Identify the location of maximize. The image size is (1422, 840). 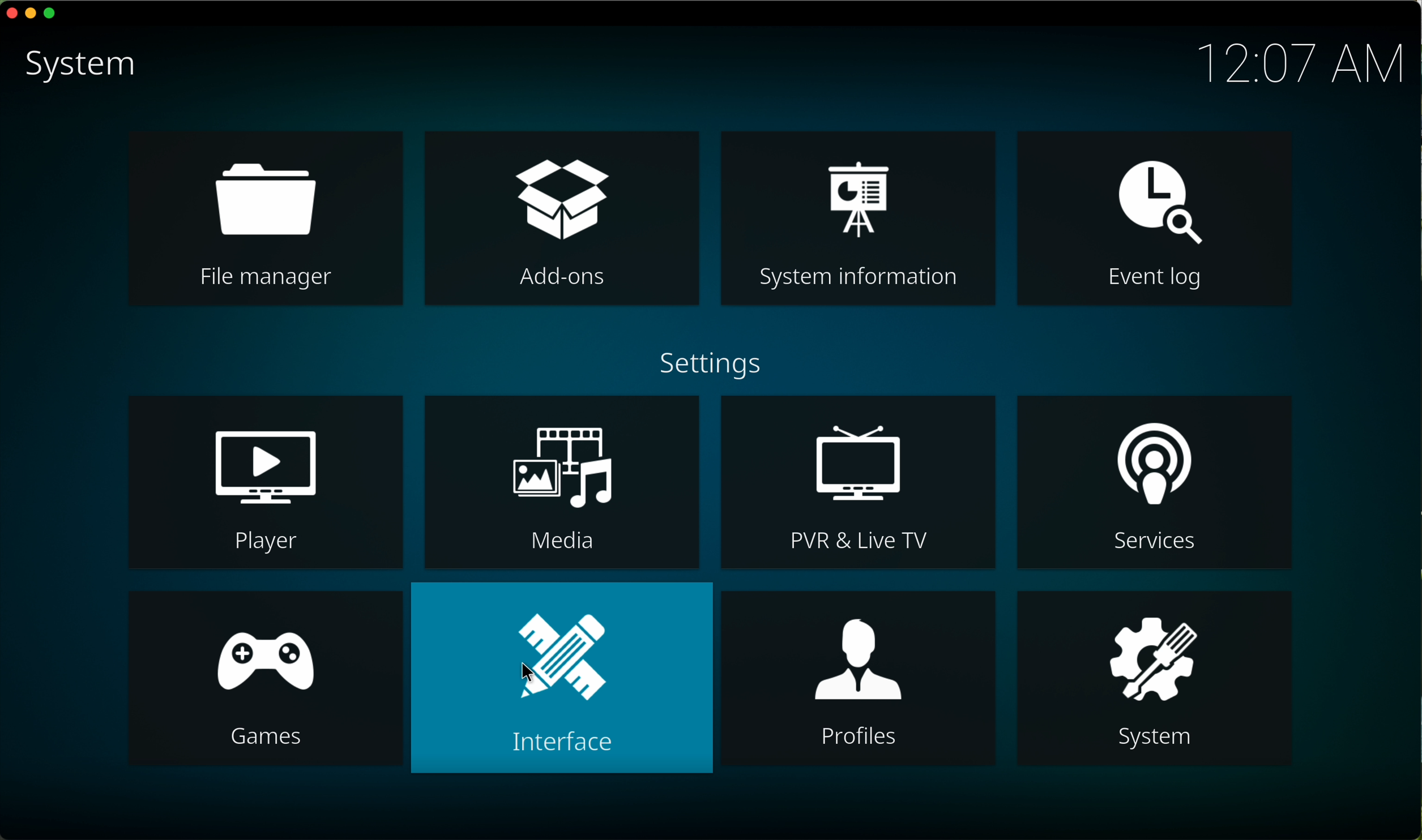
(53, 13).